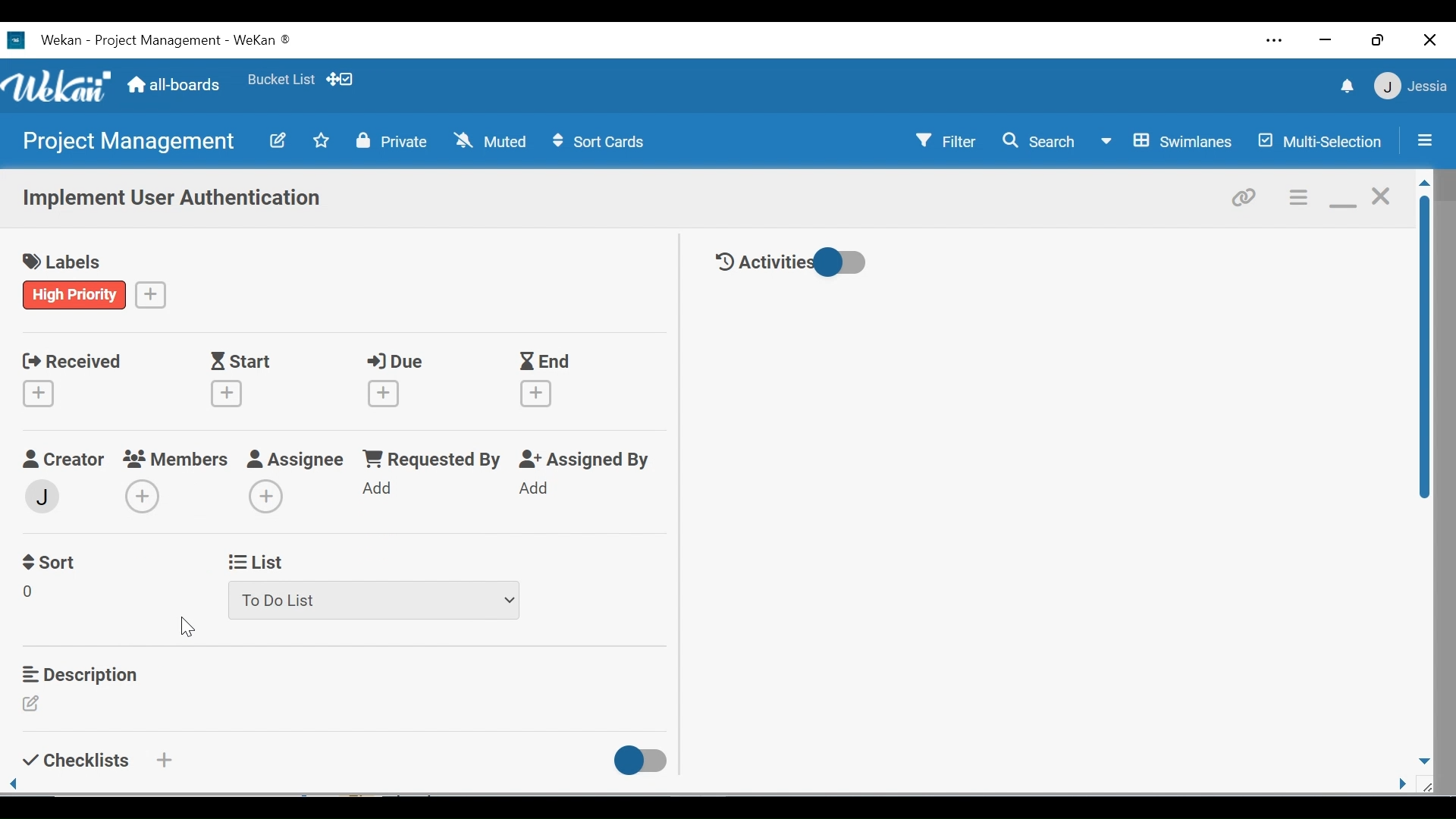 The width and height of the screenshot is (1456, 819). I want to click on  Filter, so click(940, 141).